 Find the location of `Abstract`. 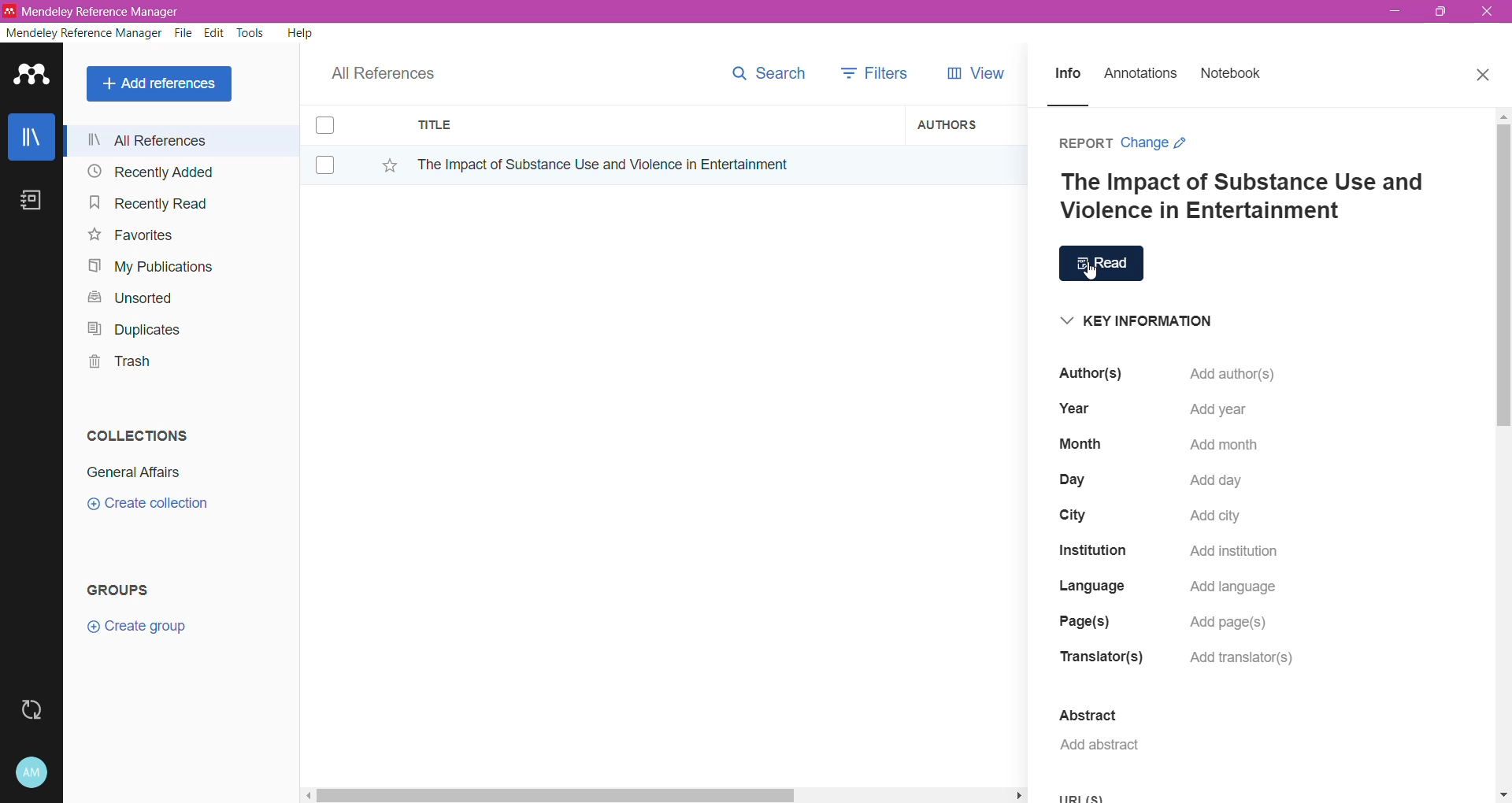

Abstract is located at coordinates (1093, 715).